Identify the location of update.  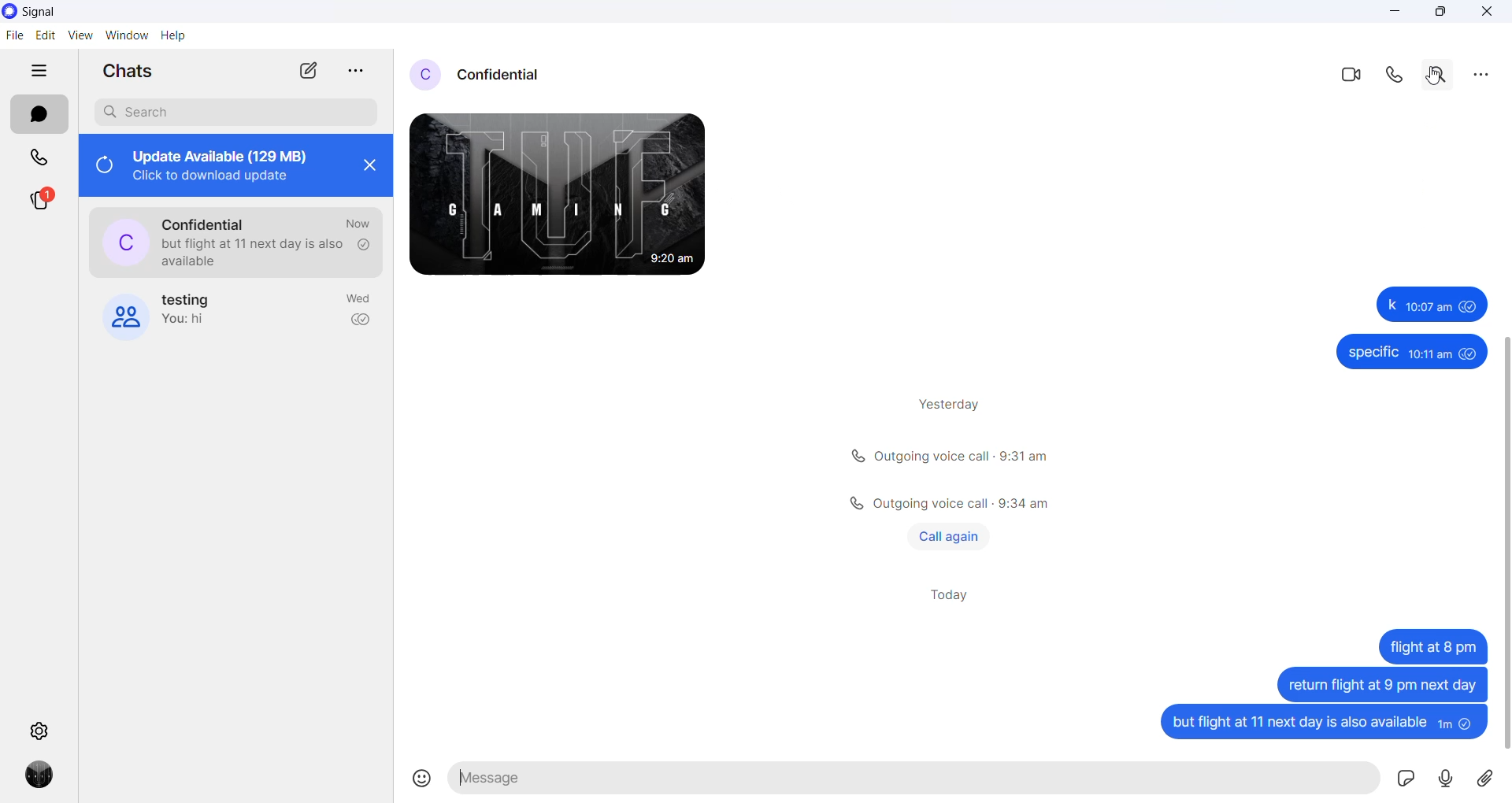
(228, 164).